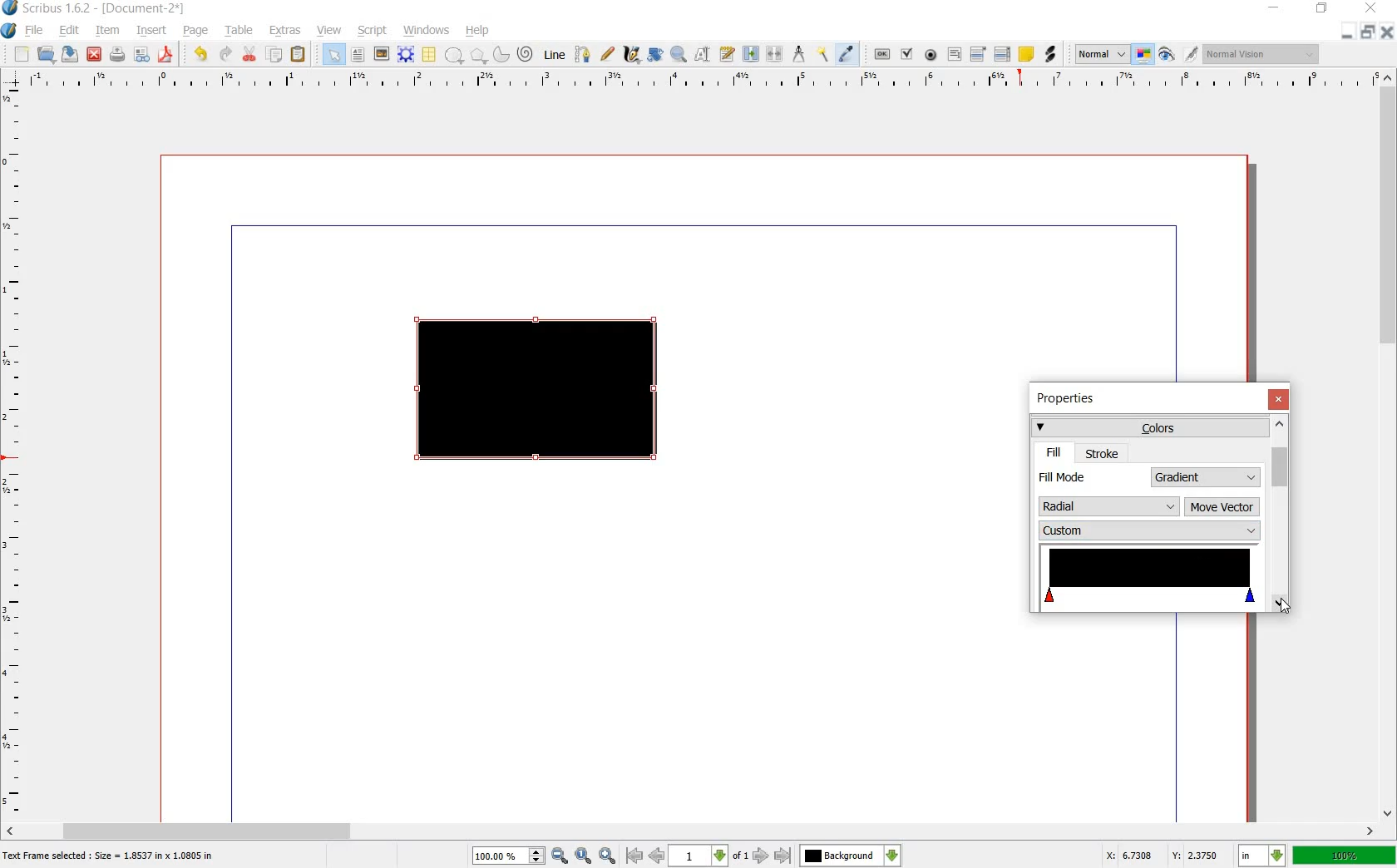  Describe the element at coordinates (776, 55) in the screenshot. I see `unlink text frame` at that location.